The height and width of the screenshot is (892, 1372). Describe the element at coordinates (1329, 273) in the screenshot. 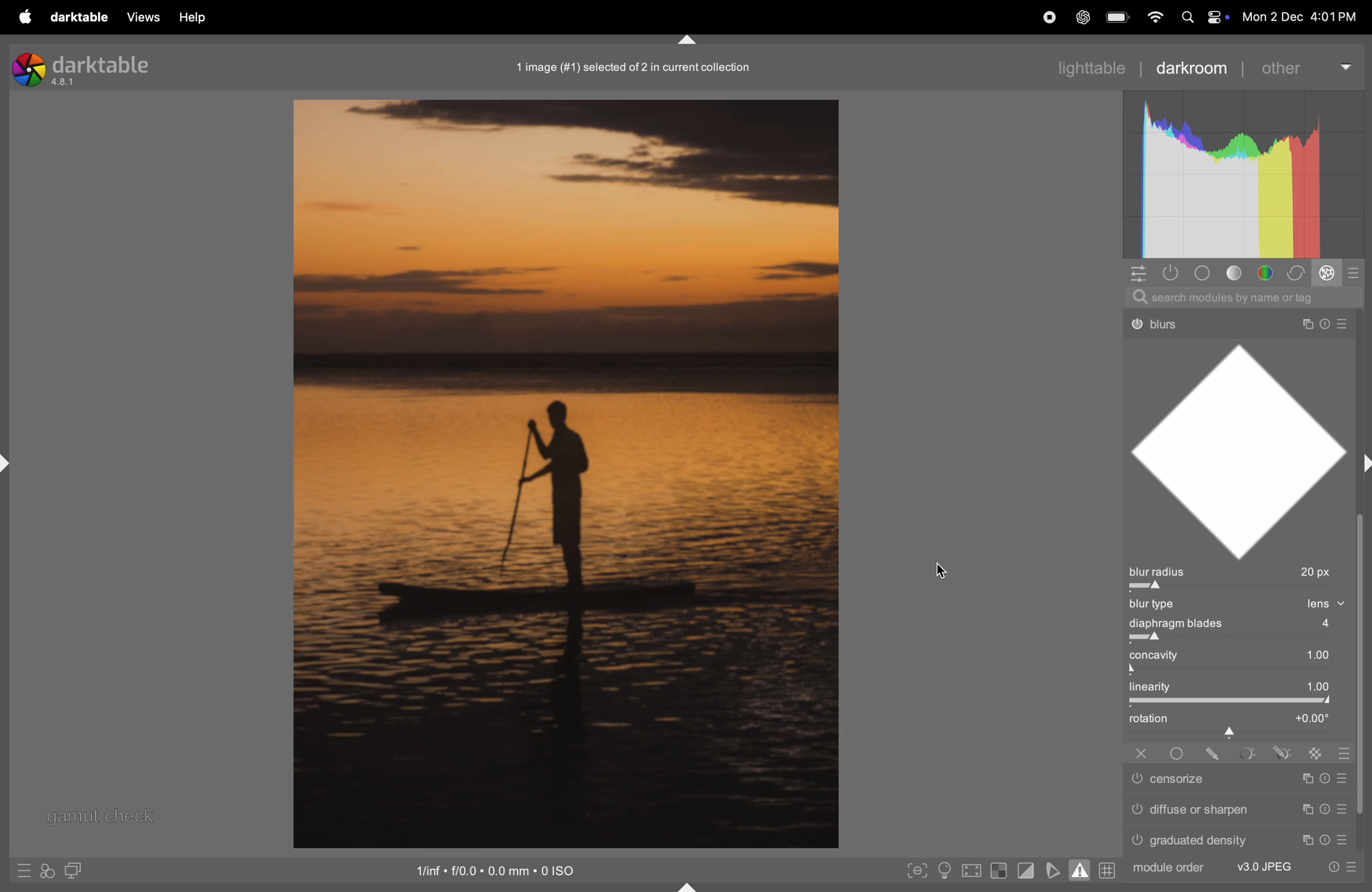

I see `effect` at that location.